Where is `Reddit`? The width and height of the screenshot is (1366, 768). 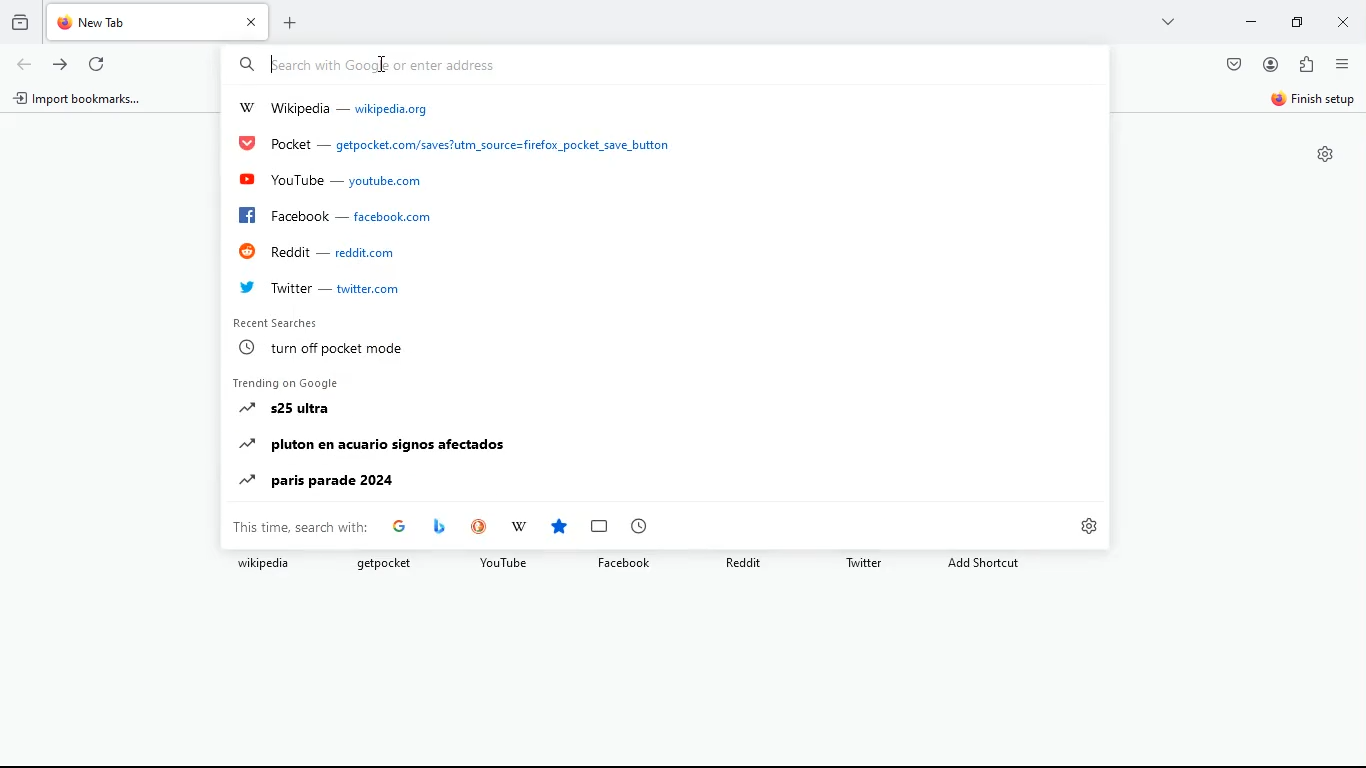 Reddit is located at coordinates (745, 563).